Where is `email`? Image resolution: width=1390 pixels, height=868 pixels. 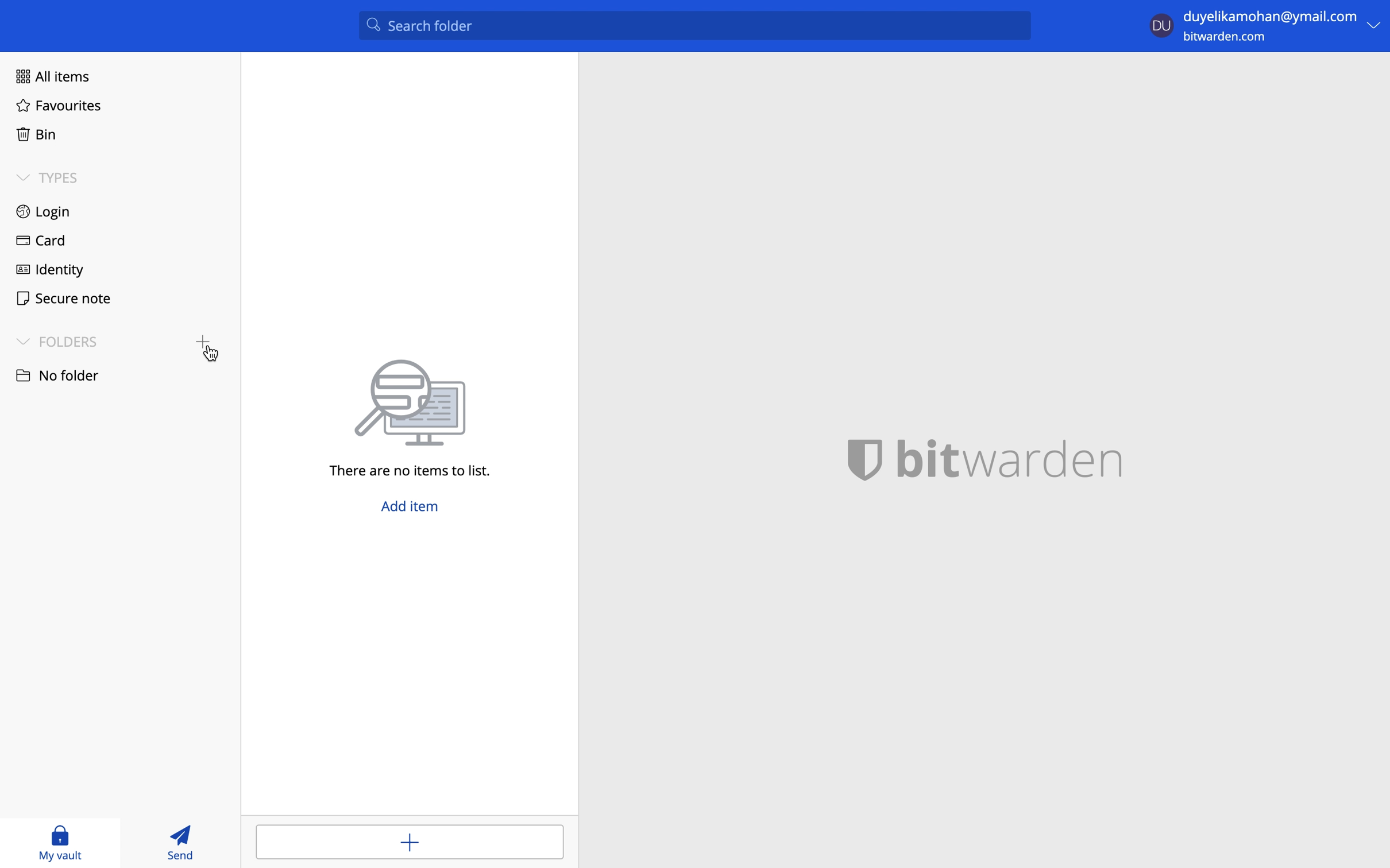 email is located at coordinates (1271, 15).